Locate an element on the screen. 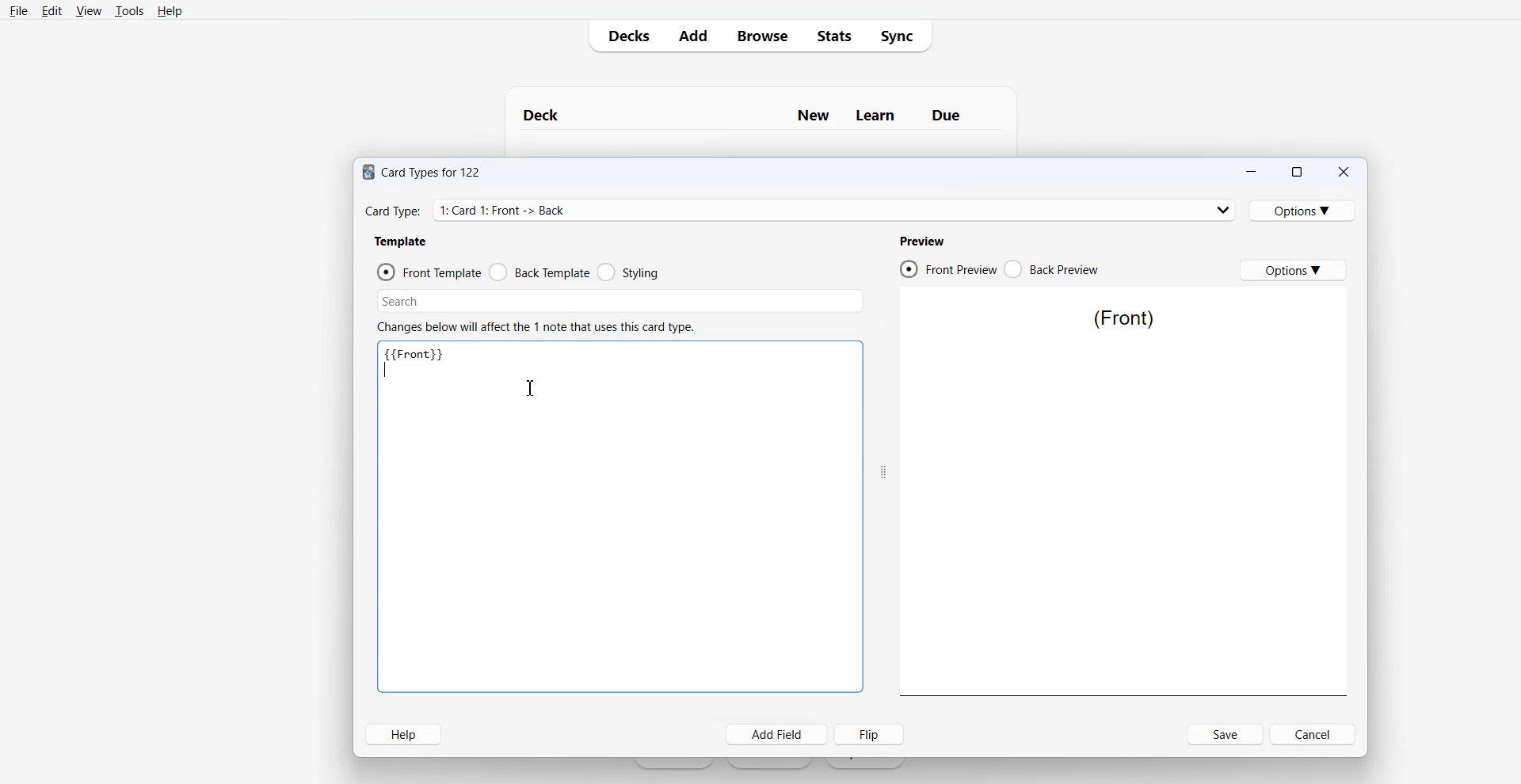 The height and width of the screenshot is (784, 1521). Preview is located at coordinates (924, 242).